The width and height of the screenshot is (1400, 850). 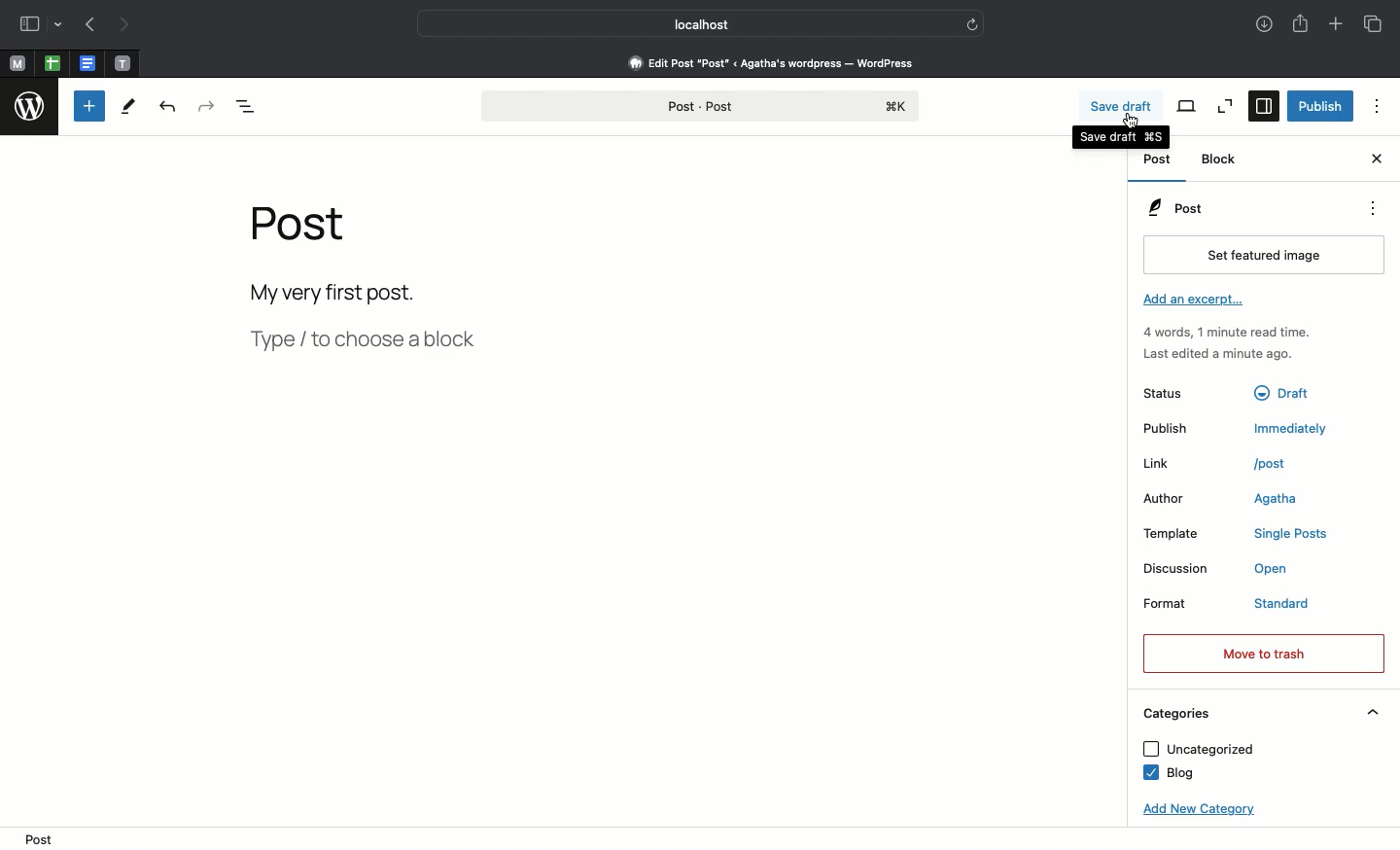 I want to click on Pinned tab, so click(x=122, y=62).